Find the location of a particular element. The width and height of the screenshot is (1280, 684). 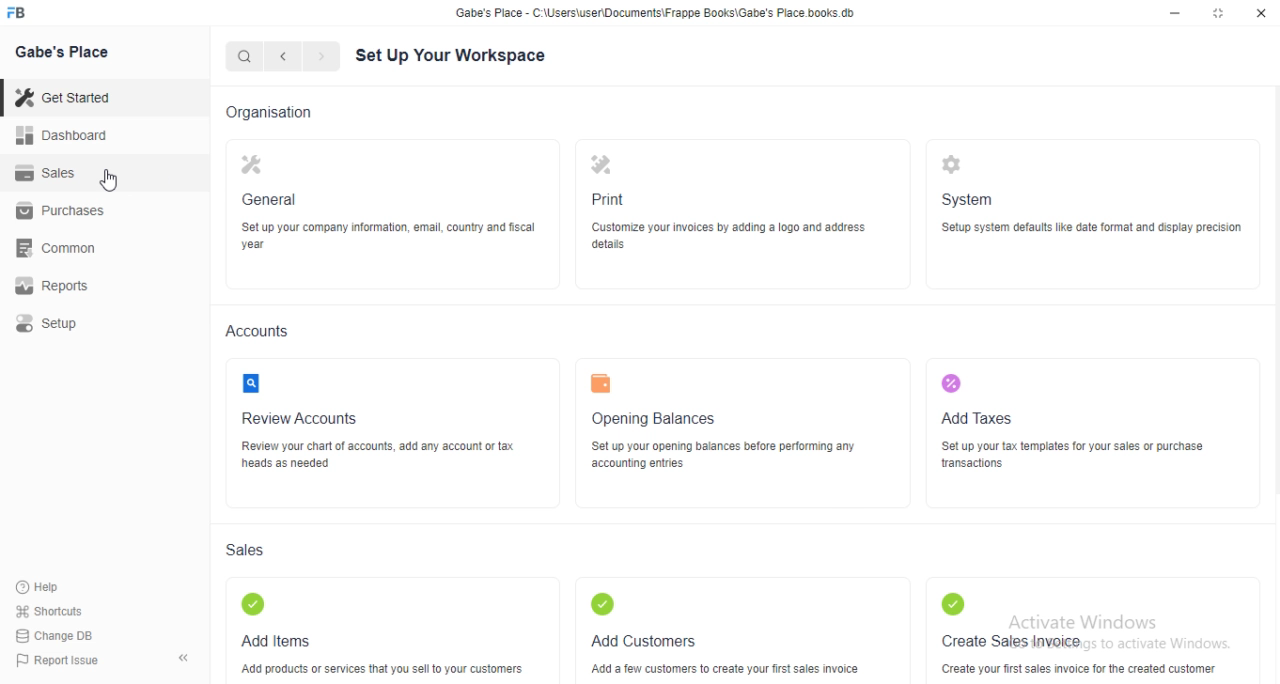

sales is located at coordinates (248, 550).